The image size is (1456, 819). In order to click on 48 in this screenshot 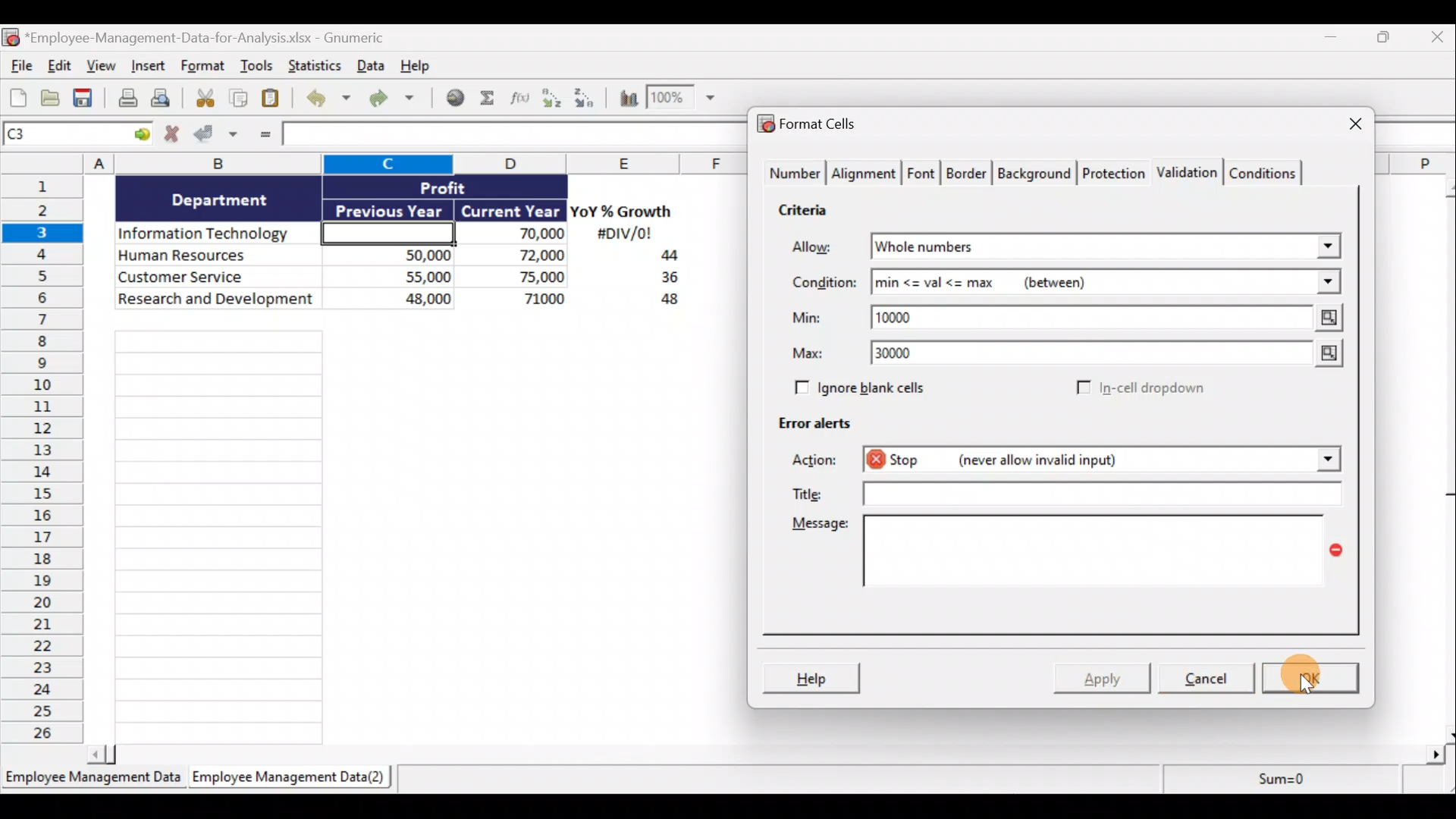, I will do `click(661, 302)`.